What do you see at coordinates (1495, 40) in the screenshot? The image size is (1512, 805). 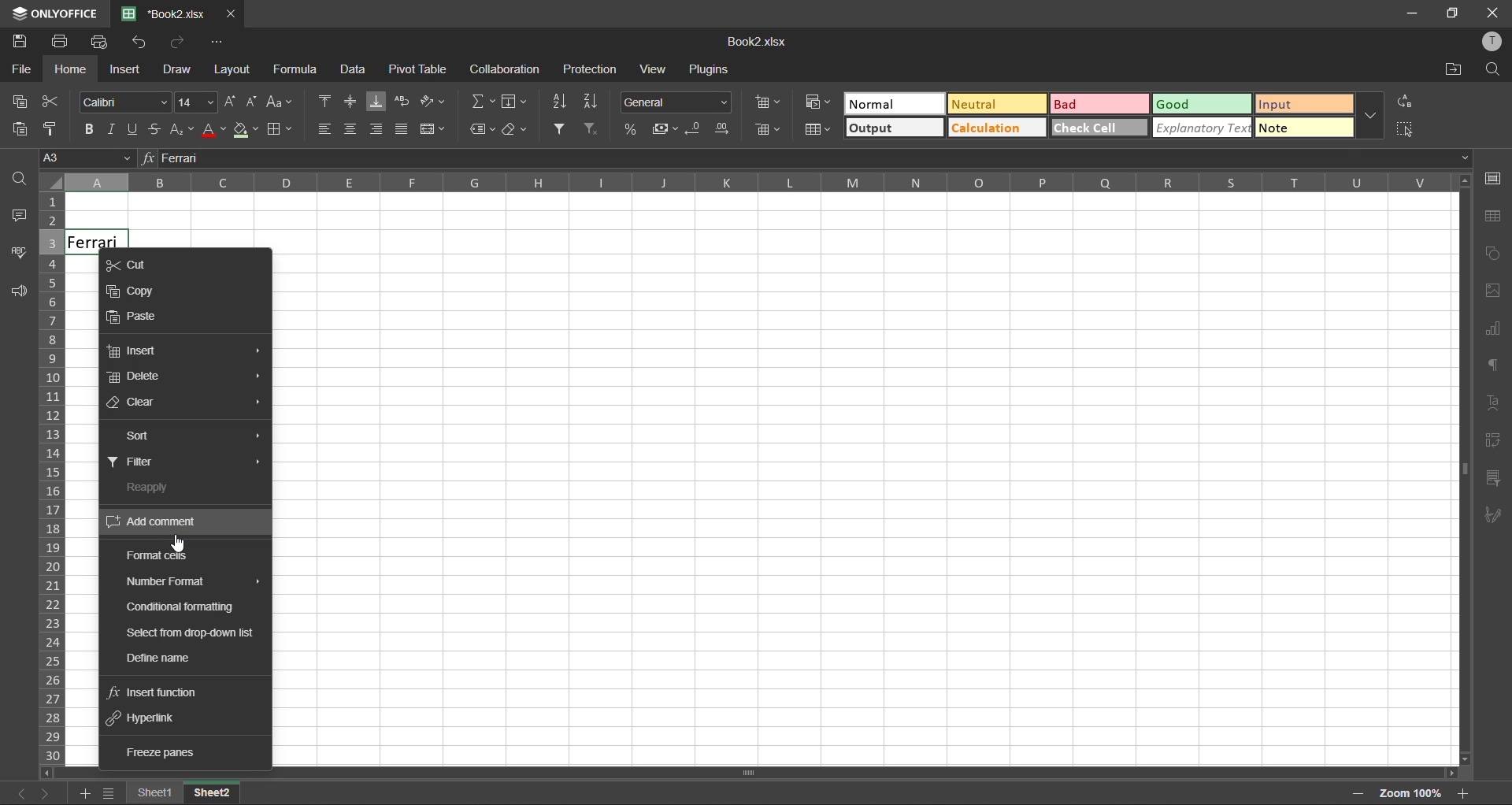 I see `profile` at bounding box center [1495, 40].